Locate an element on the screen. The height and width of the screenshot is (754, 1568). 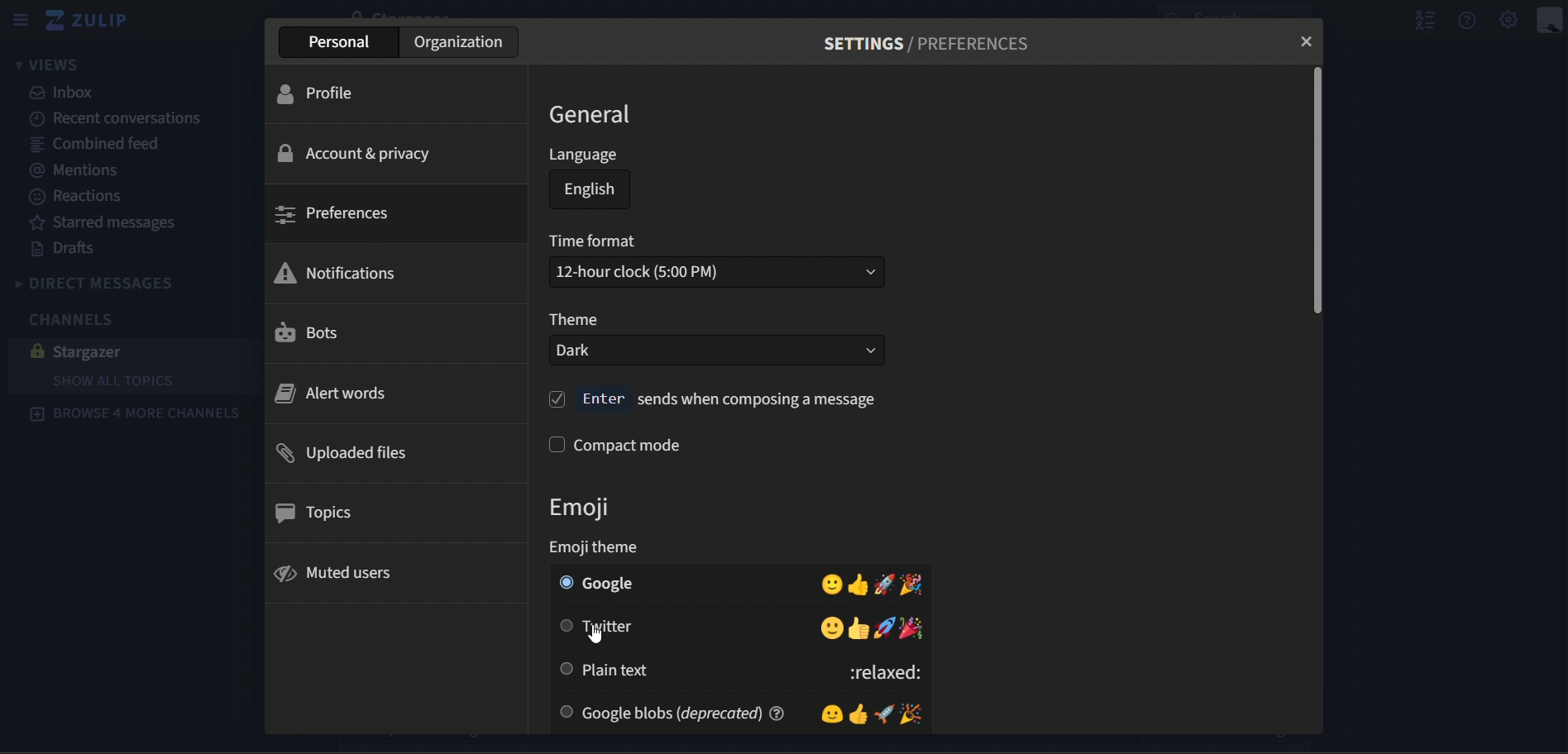
topics files is located at coordinates (319, 513).